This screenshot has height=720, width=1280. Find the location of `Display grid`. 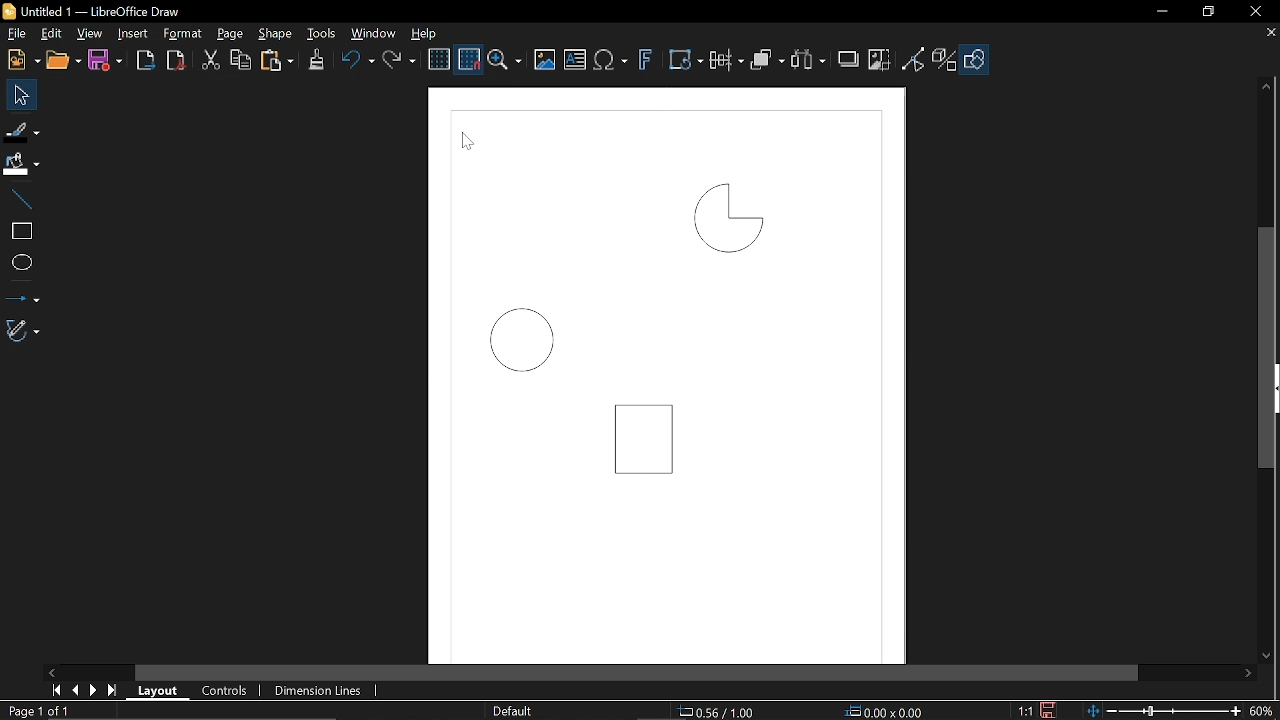

Display grid is located at coordinates (440, 60).